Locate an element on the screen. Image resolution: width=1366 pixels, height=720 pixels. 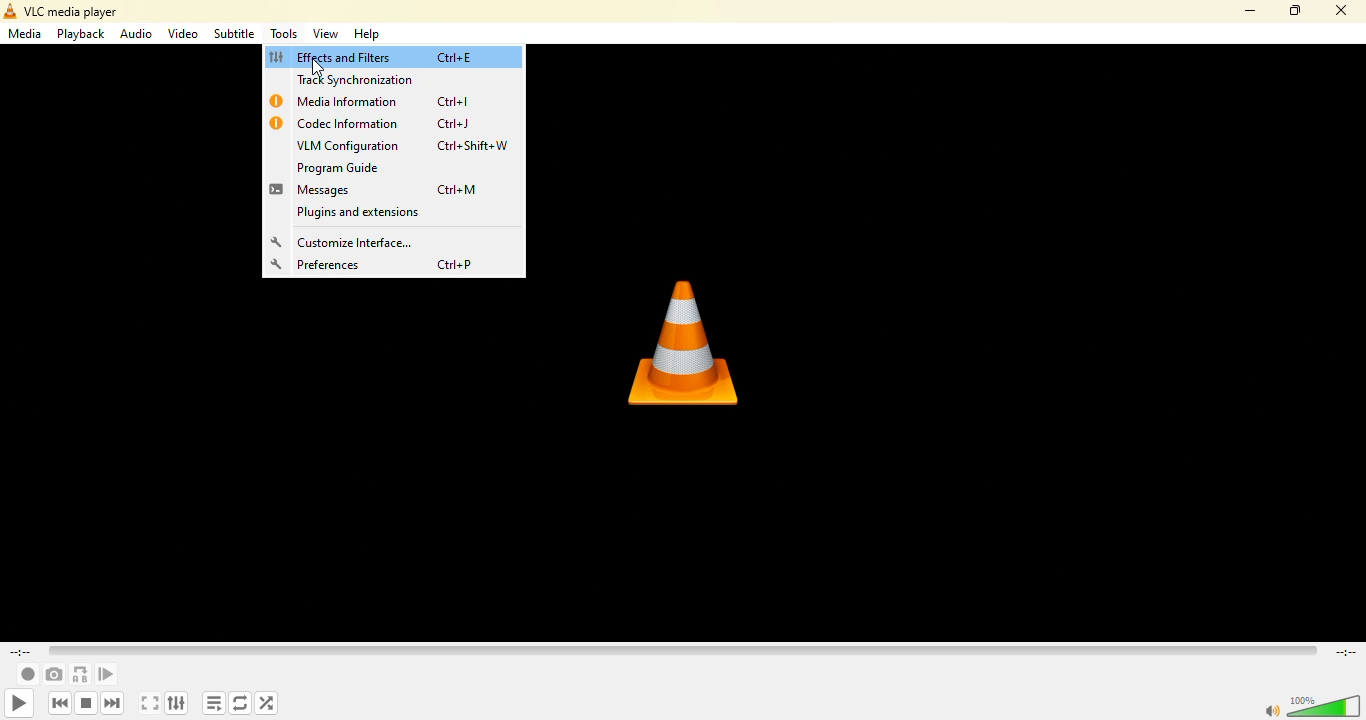
customize interface is located at coordinates (361, 242).